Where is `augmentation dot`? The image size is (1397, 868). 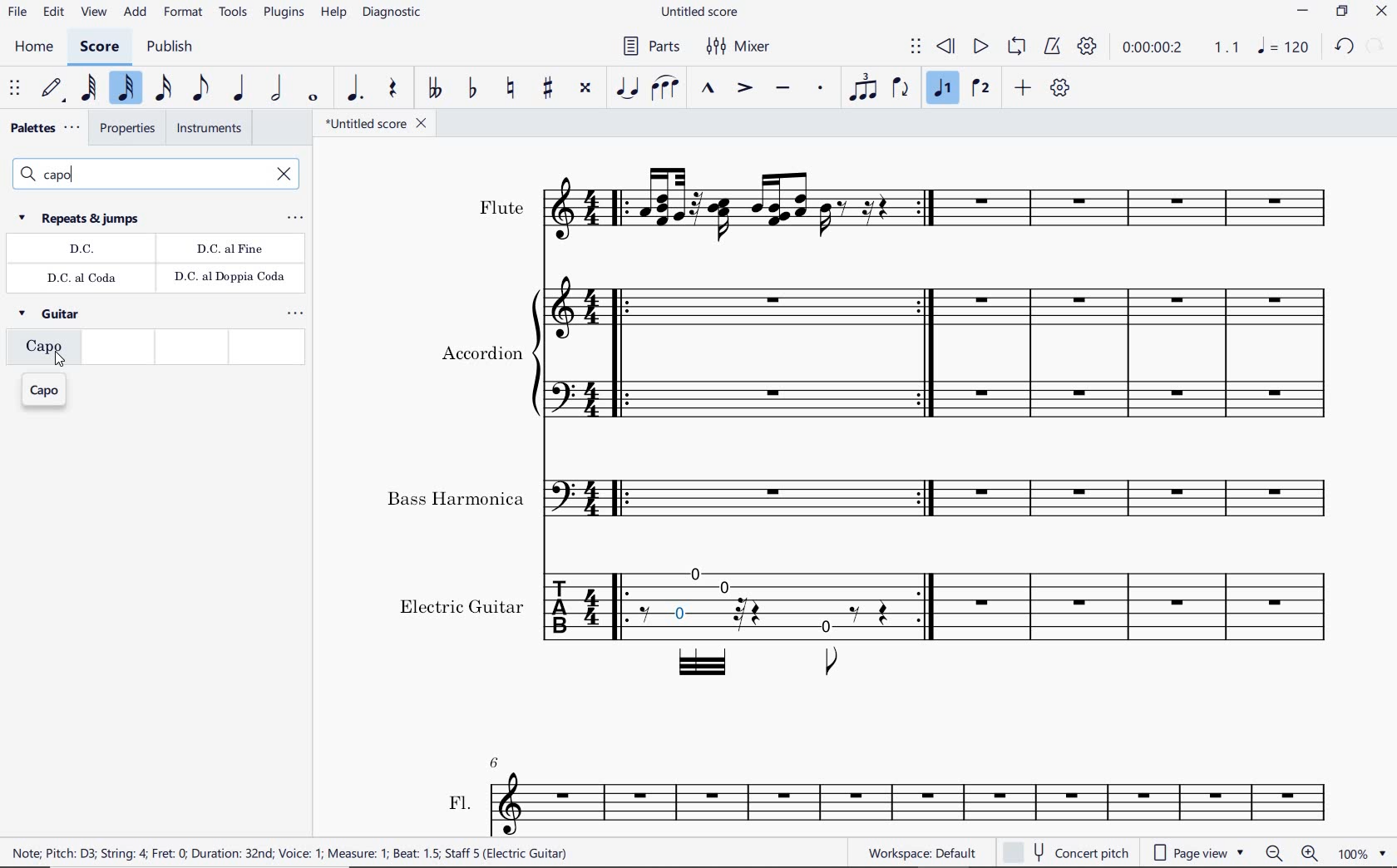
augmentation dot is located at coordinates (355, 89).